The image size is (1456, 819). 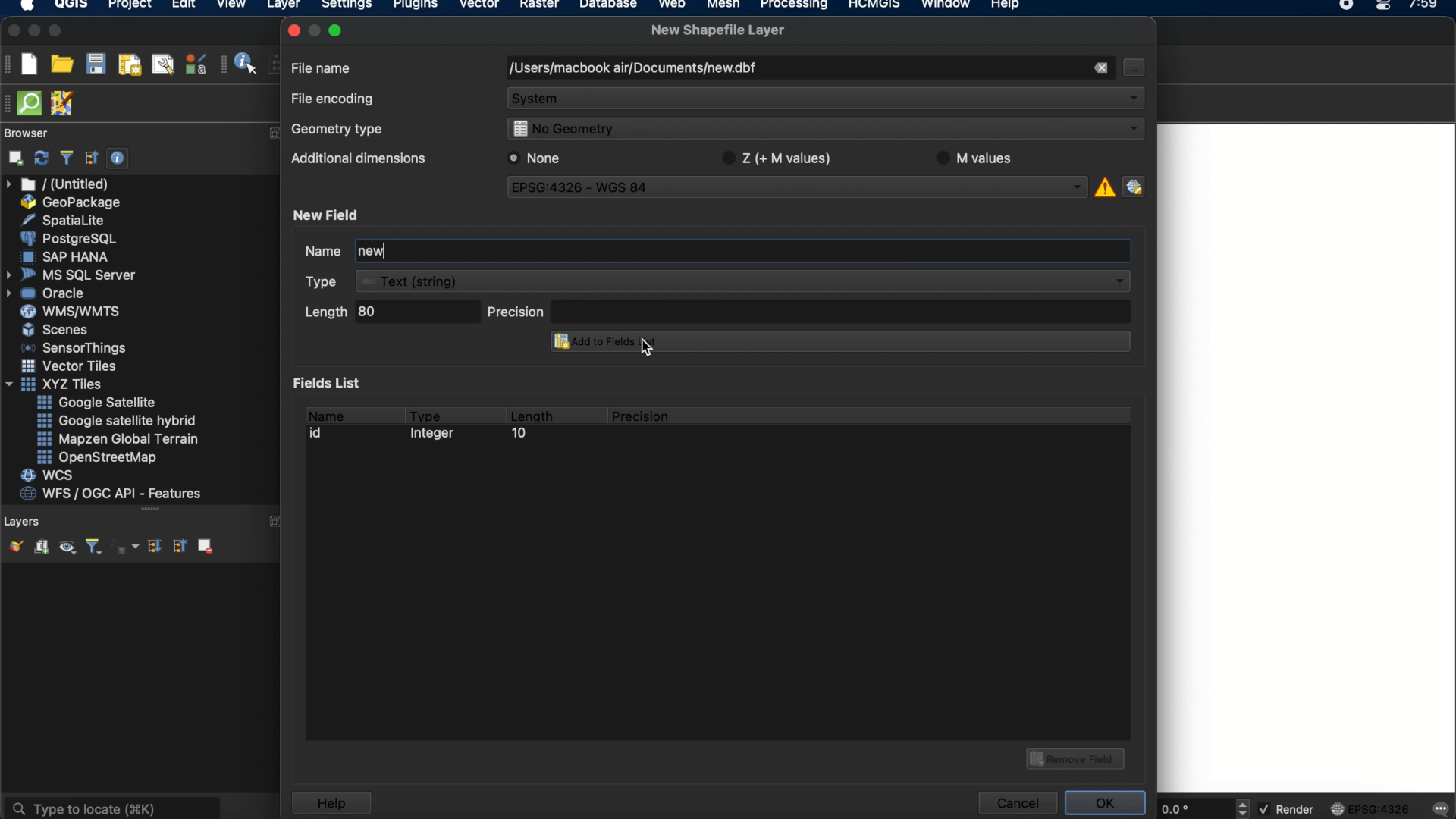 I want to click on window, so click(x=949, y=6).